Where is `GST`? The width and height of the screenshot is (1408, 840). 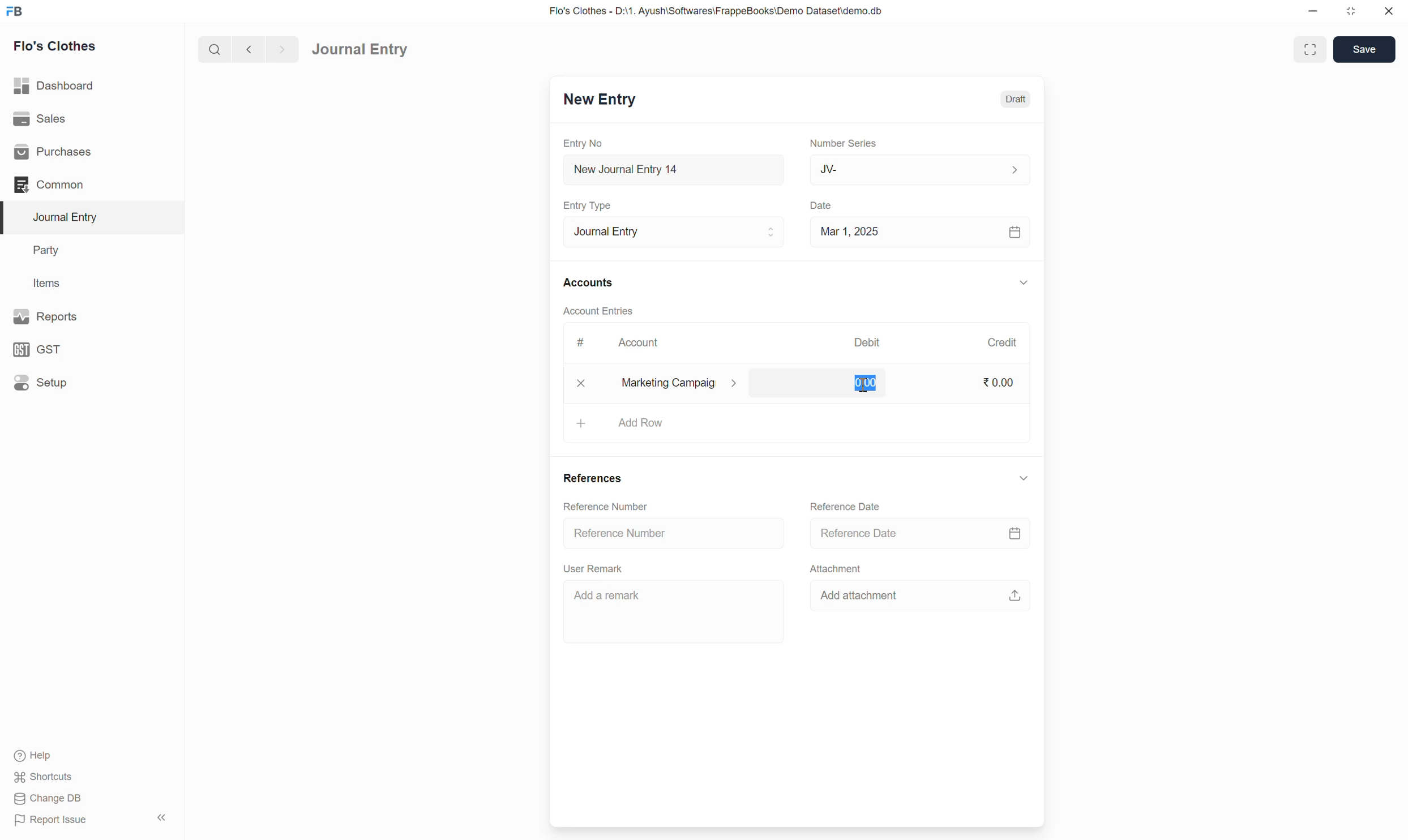
GST is located at coordinates (39, 350).